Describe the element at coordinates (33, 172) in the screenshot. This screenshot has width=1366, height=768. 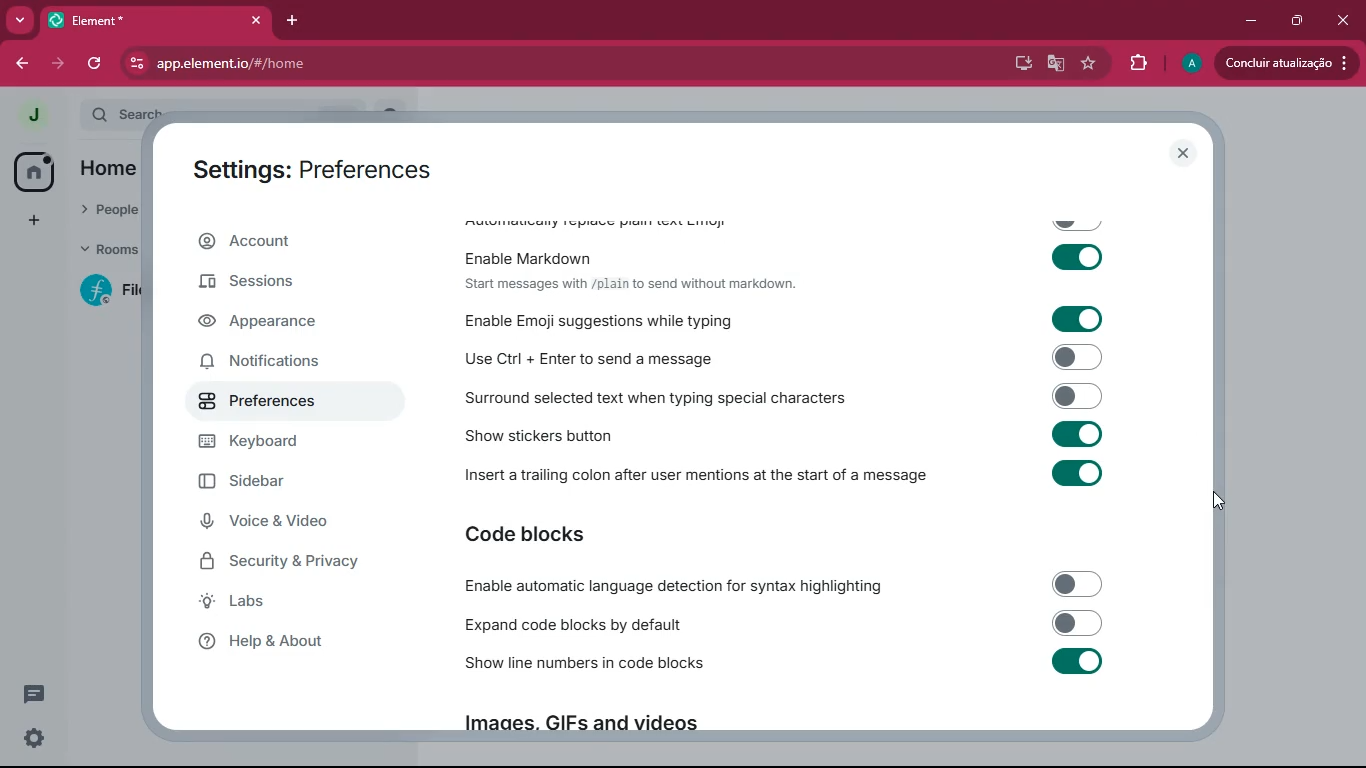
I see `home` at that location.